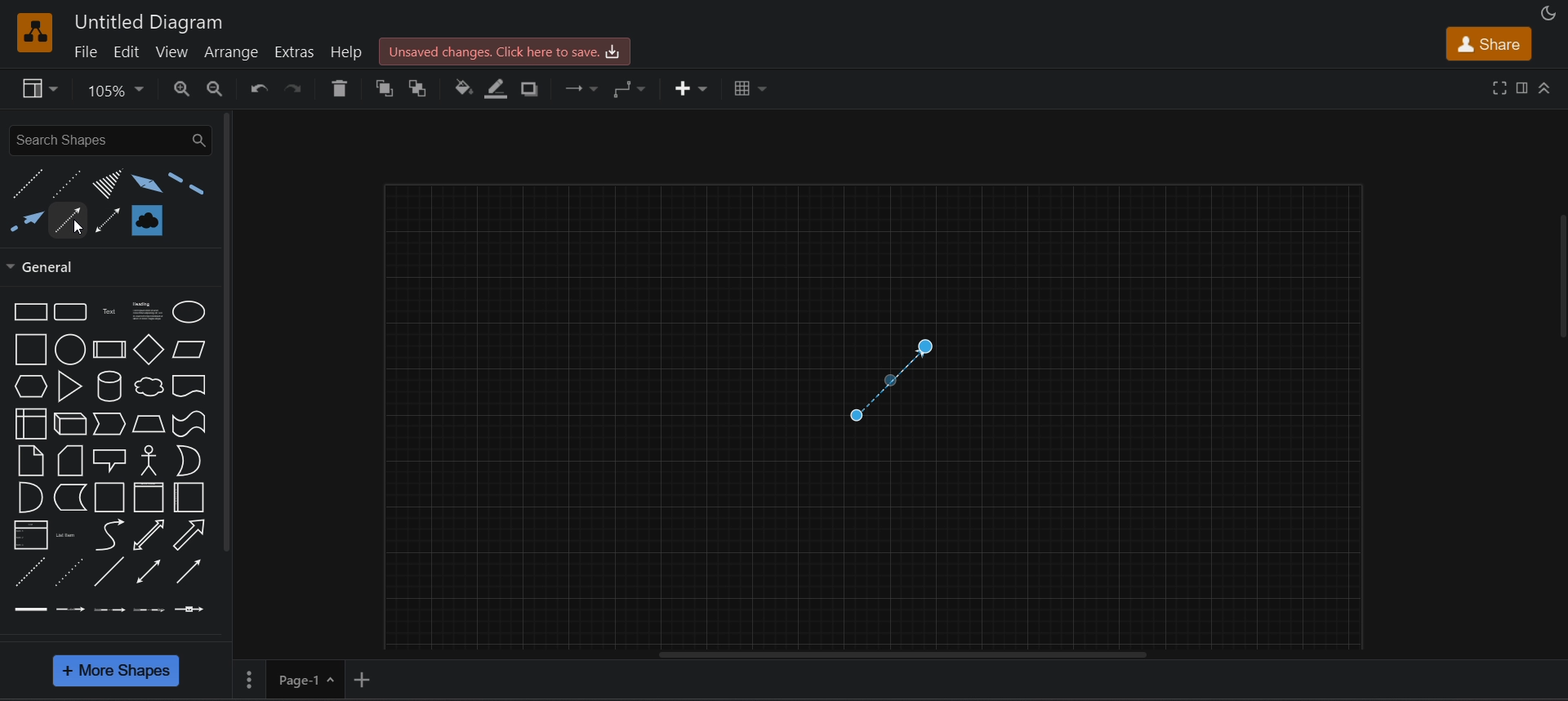  I want to click on 105% - zoom, so click(119, 89).